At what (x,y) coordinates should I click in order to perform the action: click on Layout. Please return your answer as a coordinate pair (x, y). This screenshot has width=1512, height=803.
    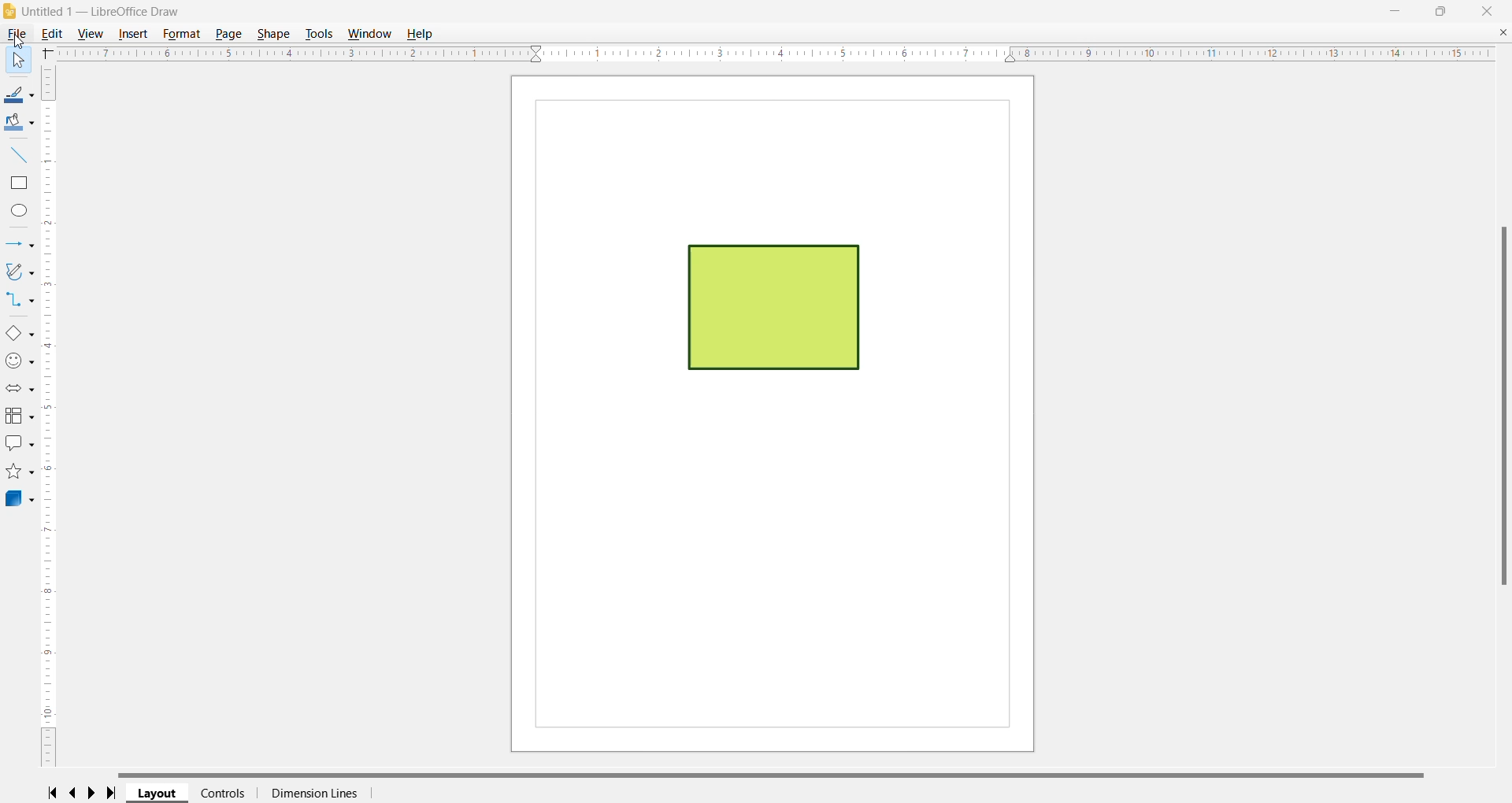
    Looking at the image, I should click on (158, 794).